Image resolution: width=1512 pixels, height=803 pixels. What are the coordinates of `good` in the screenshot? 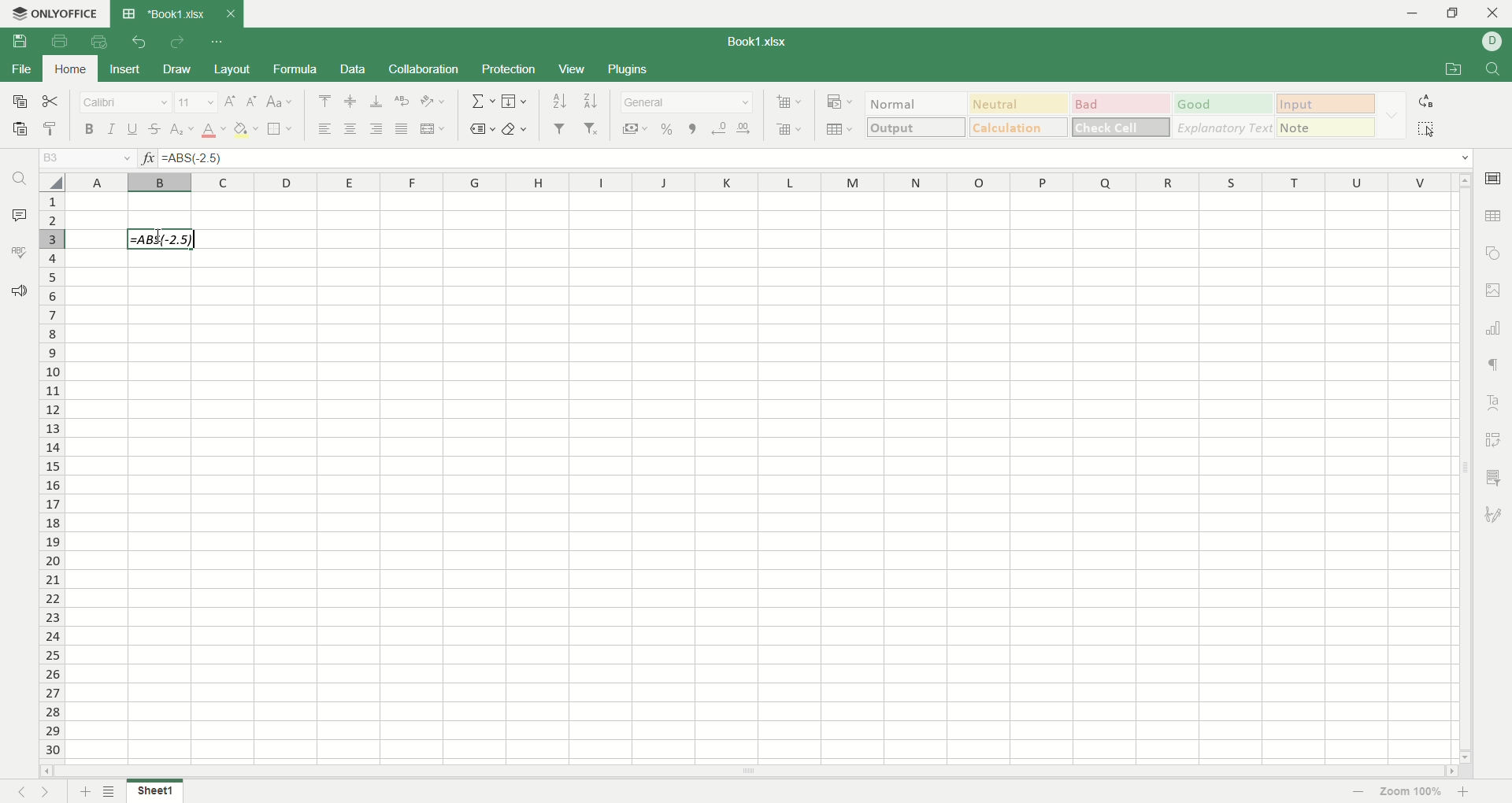 It's located at (1225, 105).